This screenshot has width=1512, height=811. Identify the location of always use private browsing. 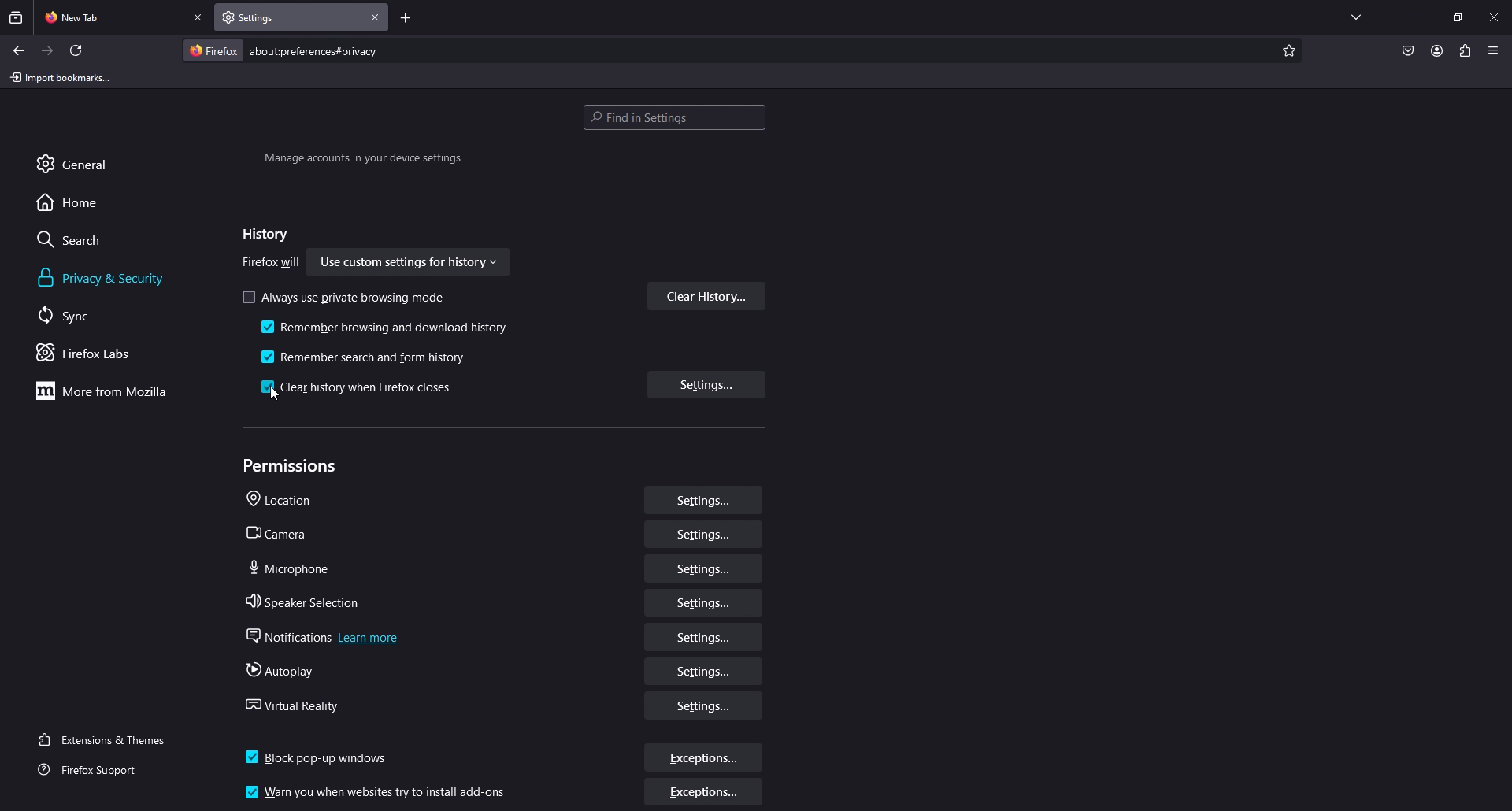
(346, 297).